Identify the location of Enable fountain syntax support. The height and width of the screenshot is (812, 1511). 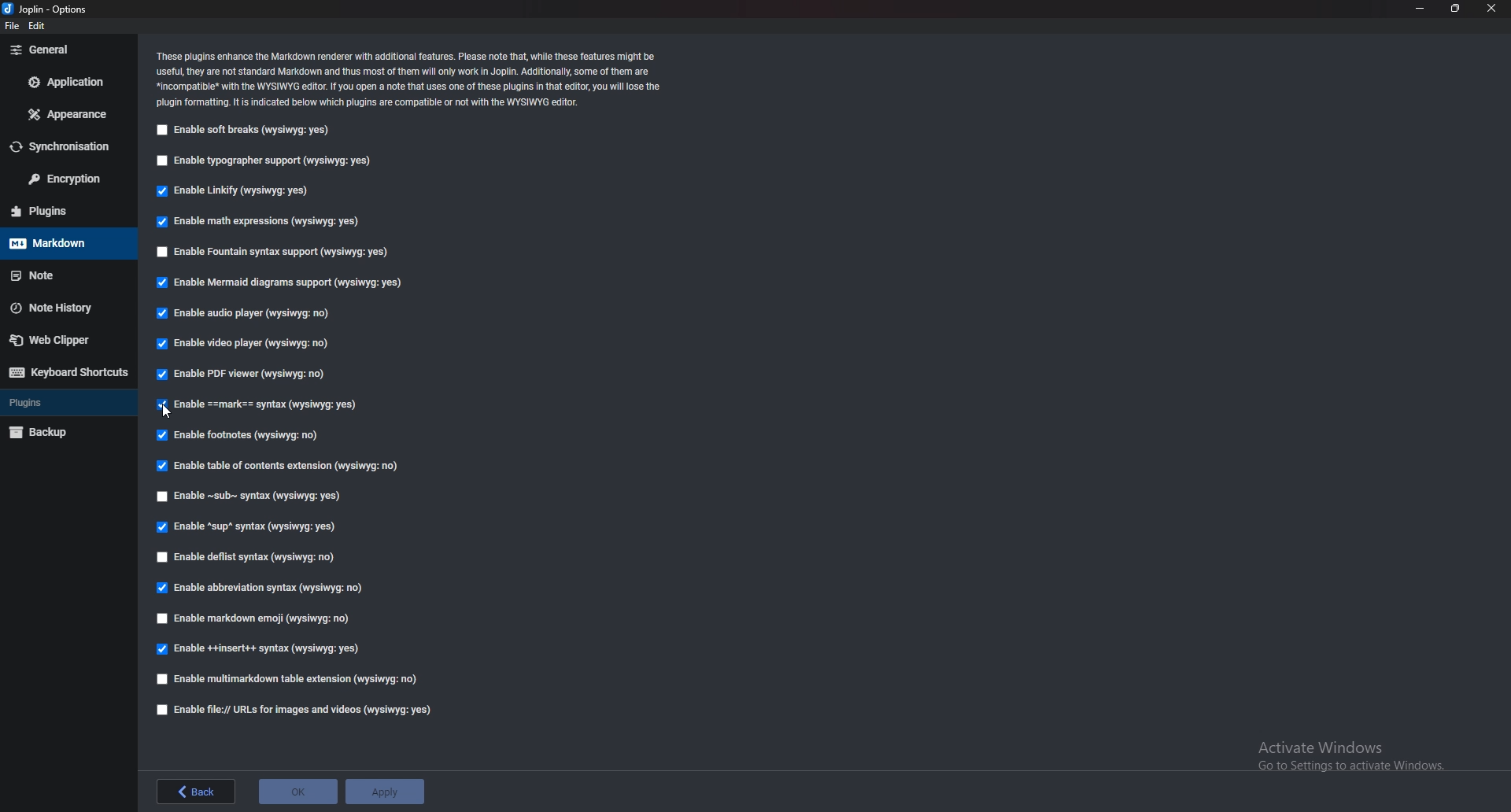
(276, 253).